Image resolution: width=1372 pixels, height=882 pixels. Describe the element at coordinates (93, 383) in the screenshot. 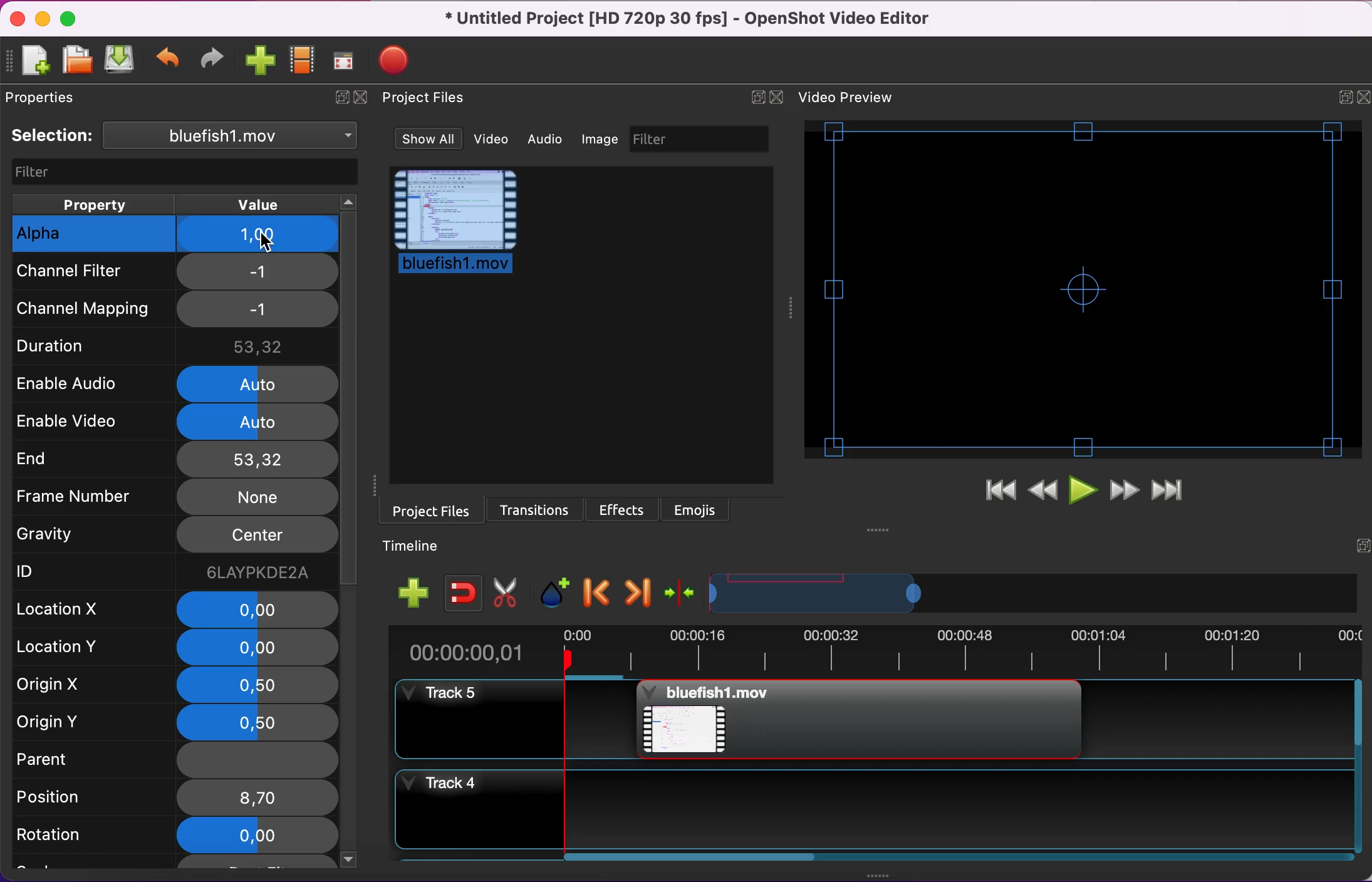

I see `enable audio` at that location.